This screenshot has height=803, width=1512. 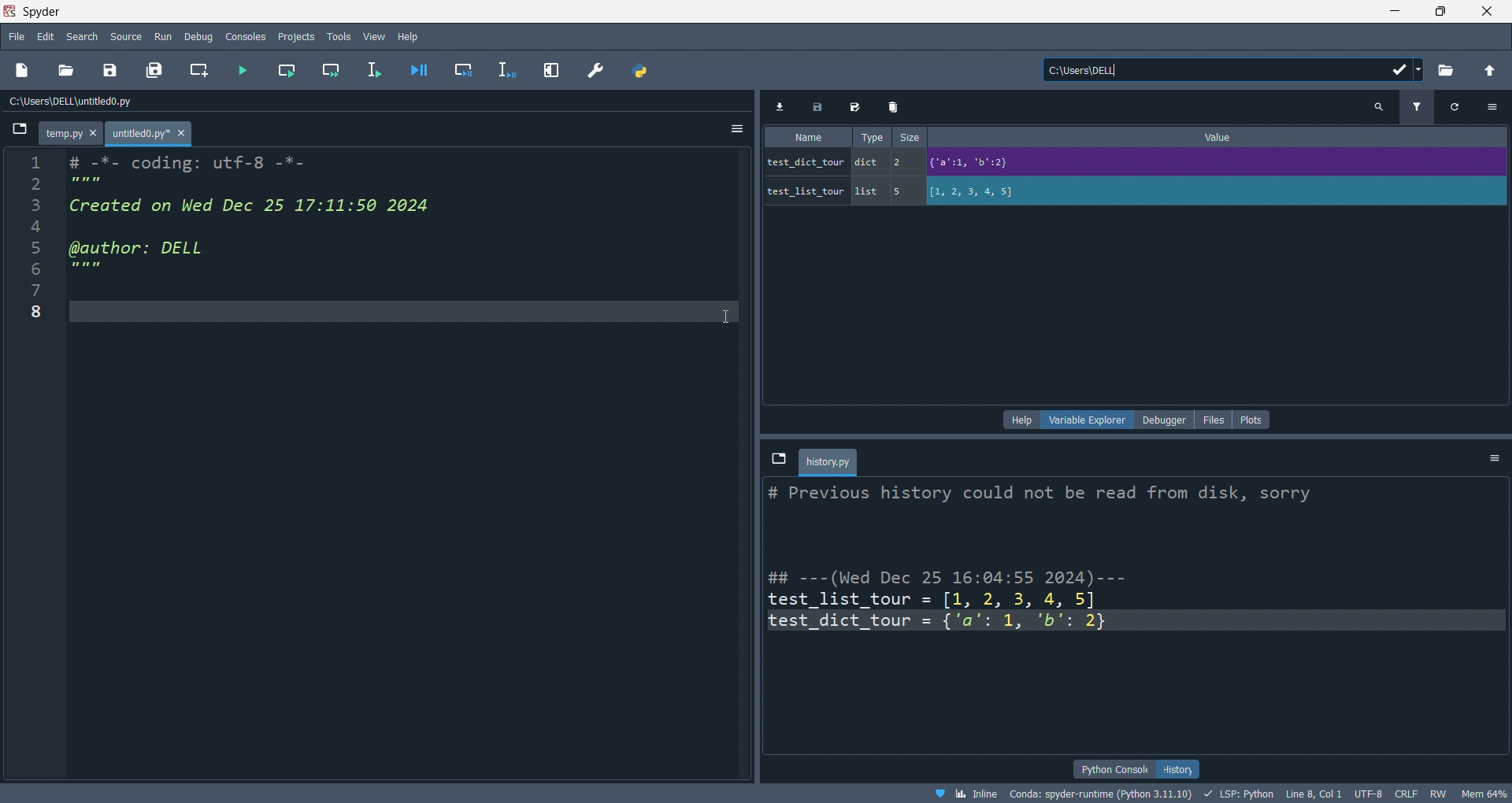 I want to click on path manager, so click(x=638, y=71).